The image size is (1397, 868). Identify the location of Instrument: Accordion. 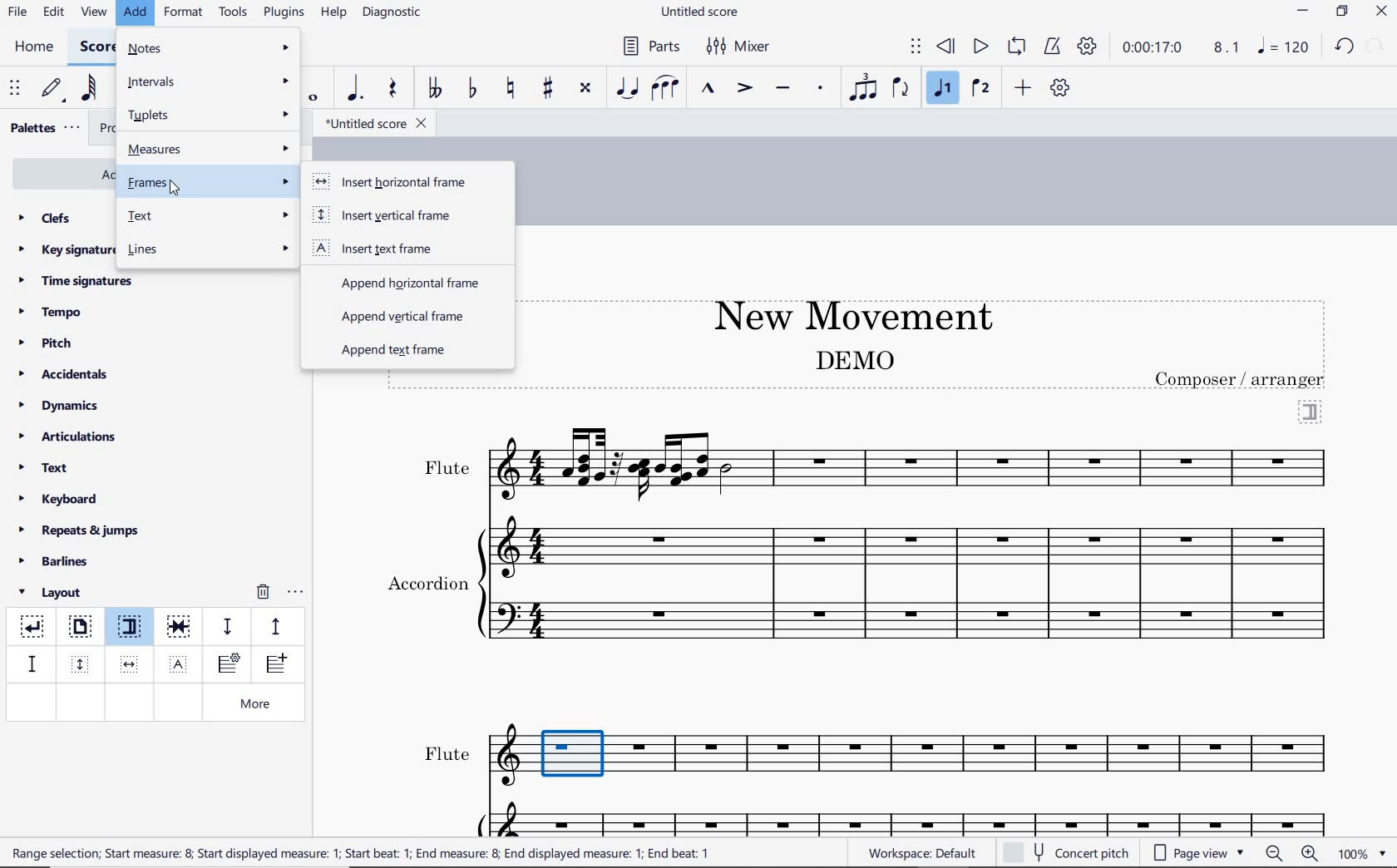
(912, 584).